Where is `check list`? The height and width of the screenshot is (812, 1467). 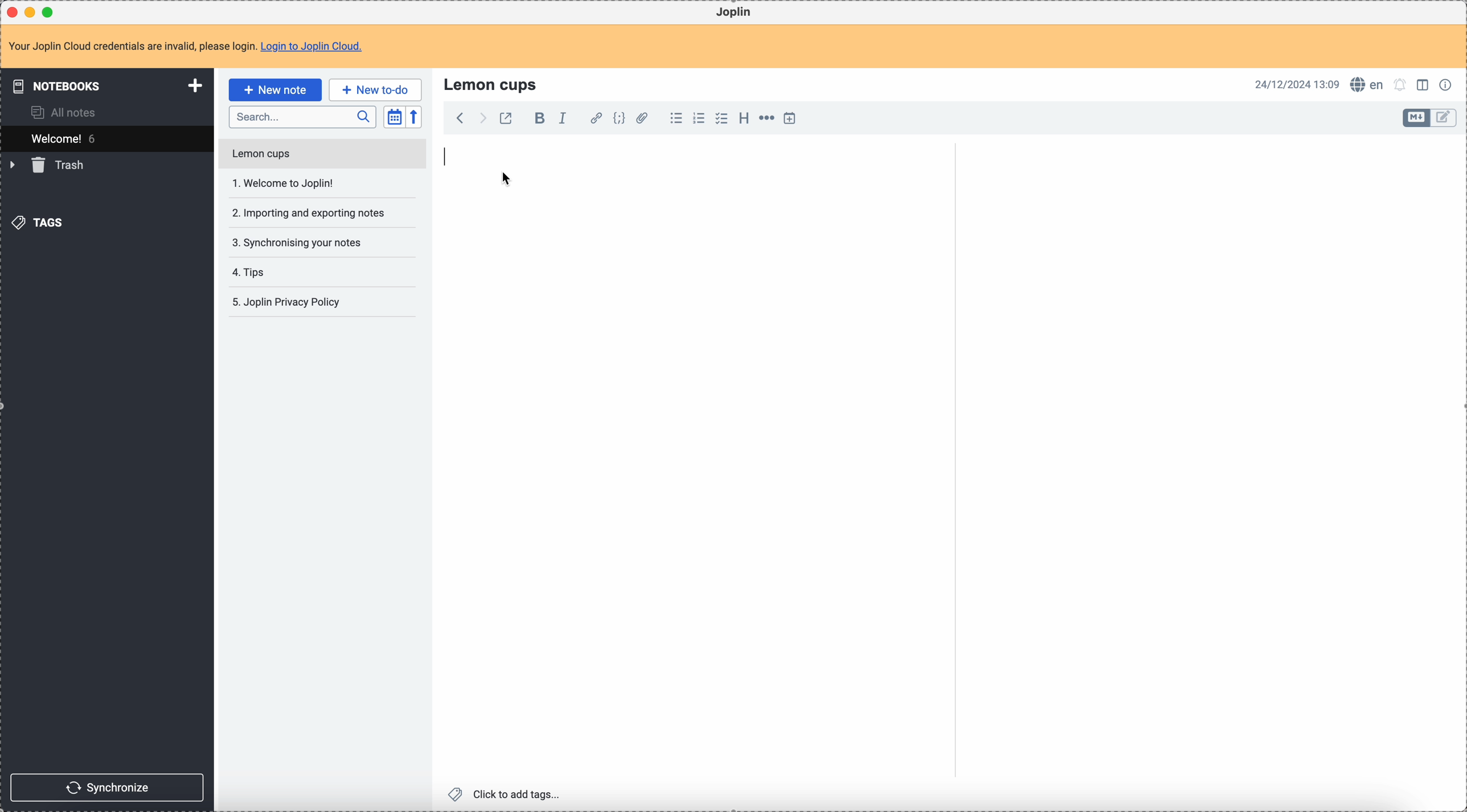 check list is located at coordinates (721, 118).